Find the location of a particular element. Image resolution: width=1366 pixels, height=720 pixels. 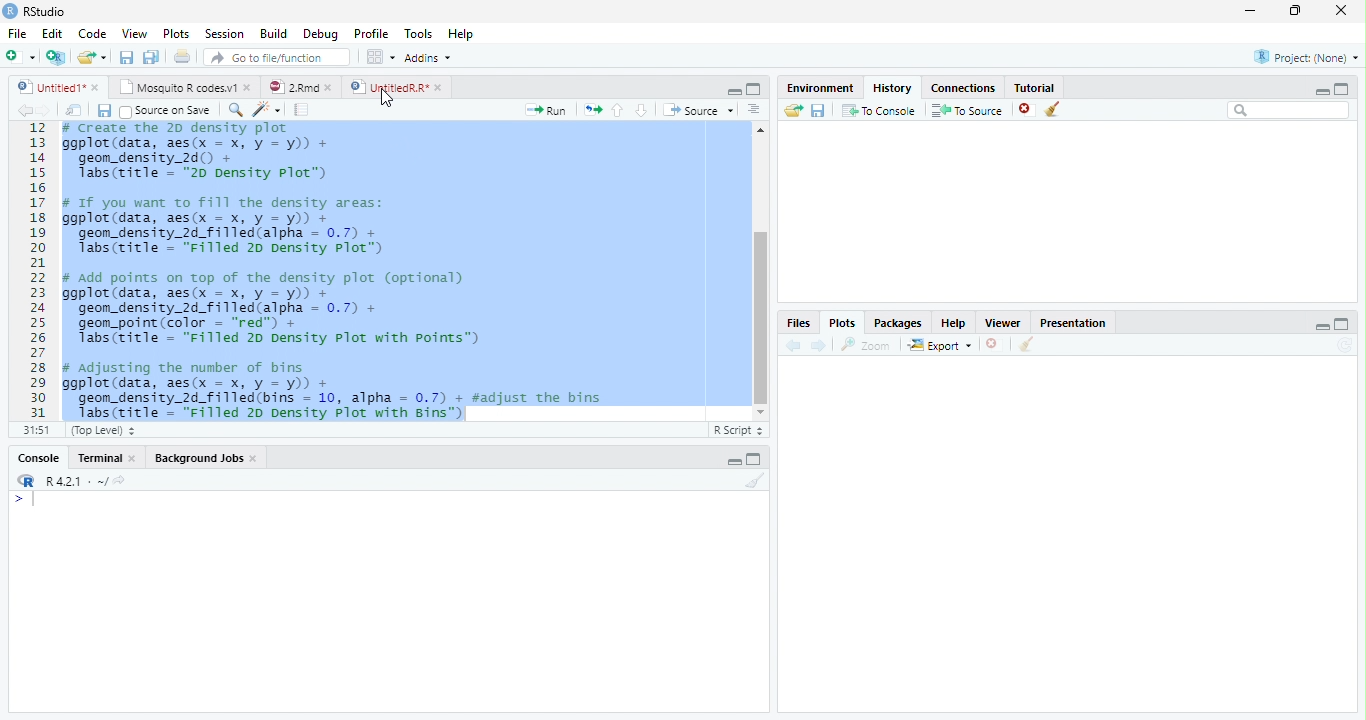

save is located at coordinates (104, 111).